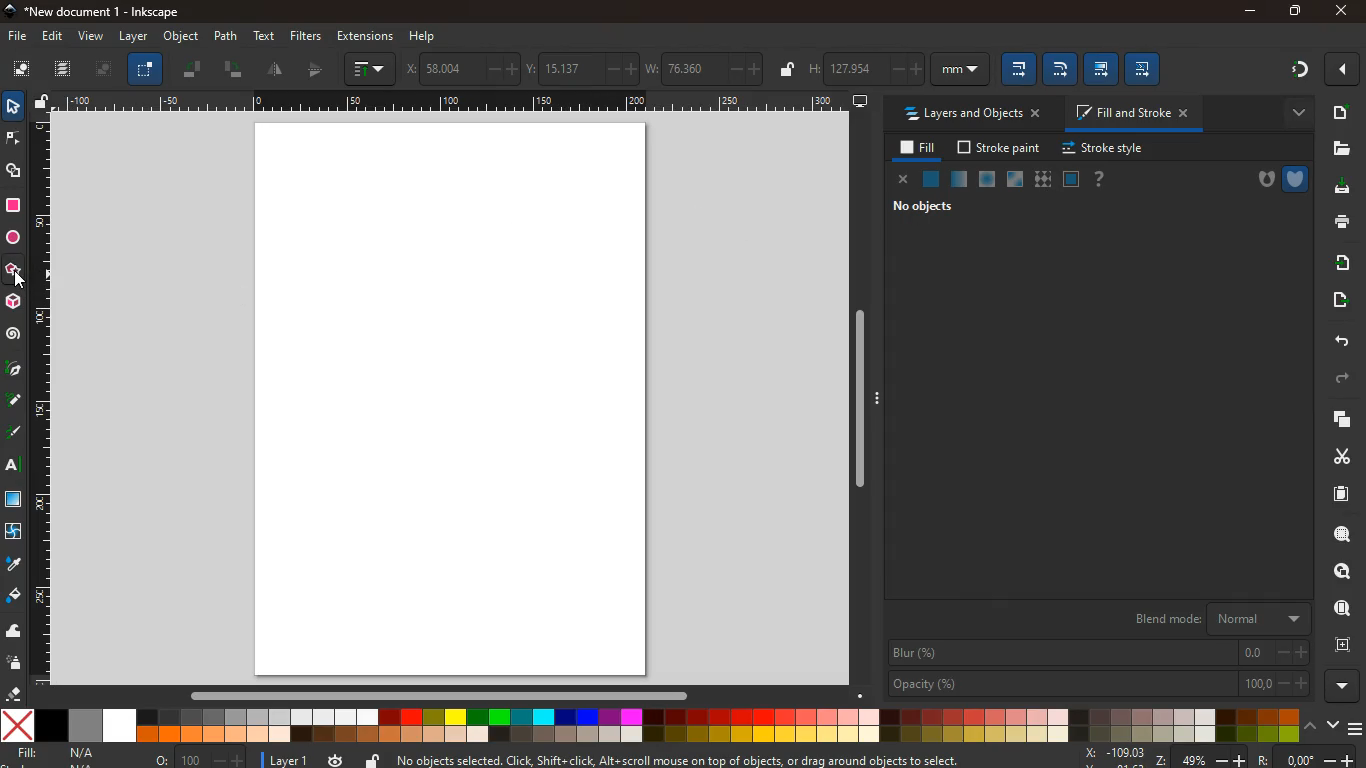 The image size is (1366, 768). I want to click on square, so click(15, 207).